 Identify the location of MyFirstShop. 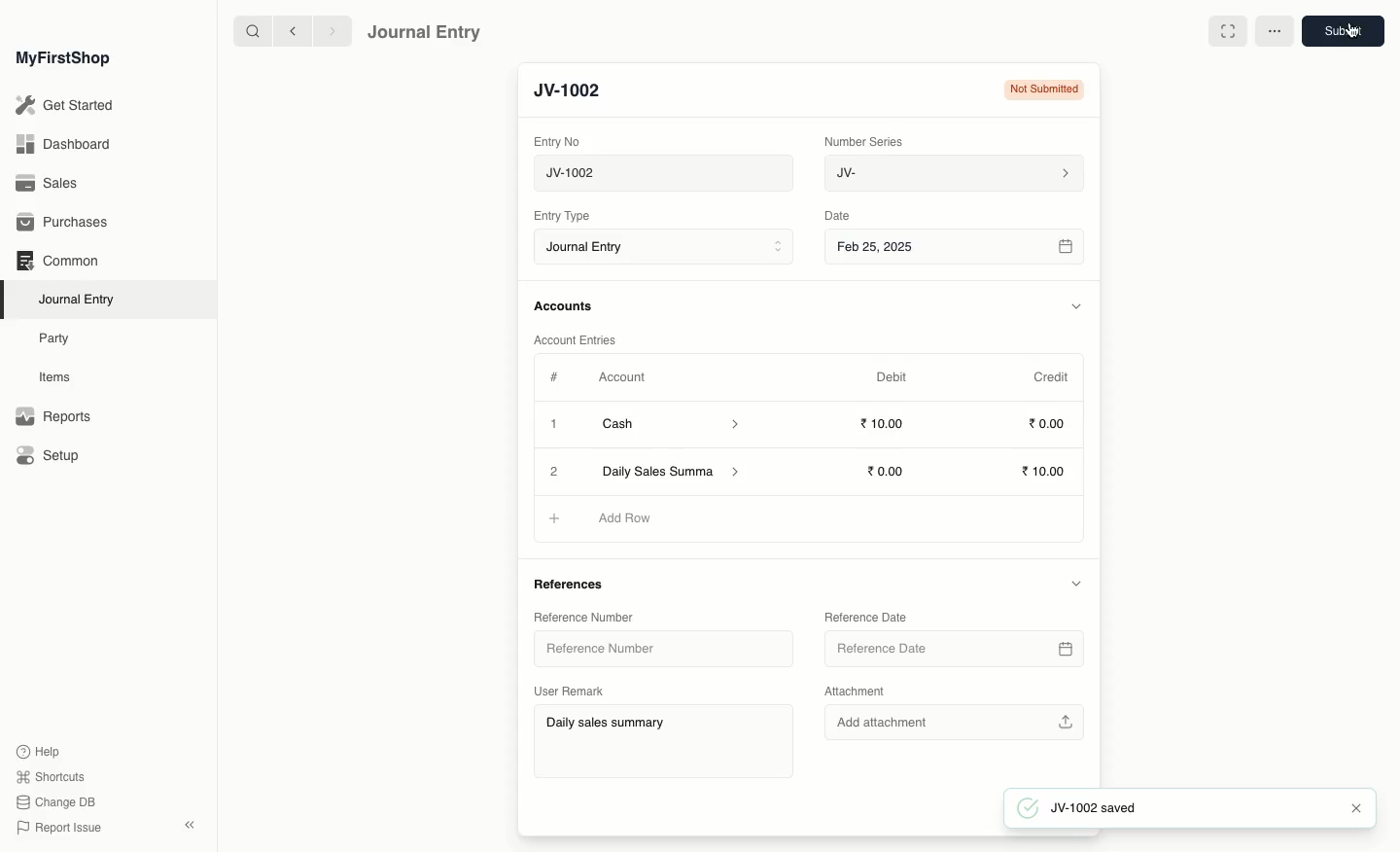
(61, 59).